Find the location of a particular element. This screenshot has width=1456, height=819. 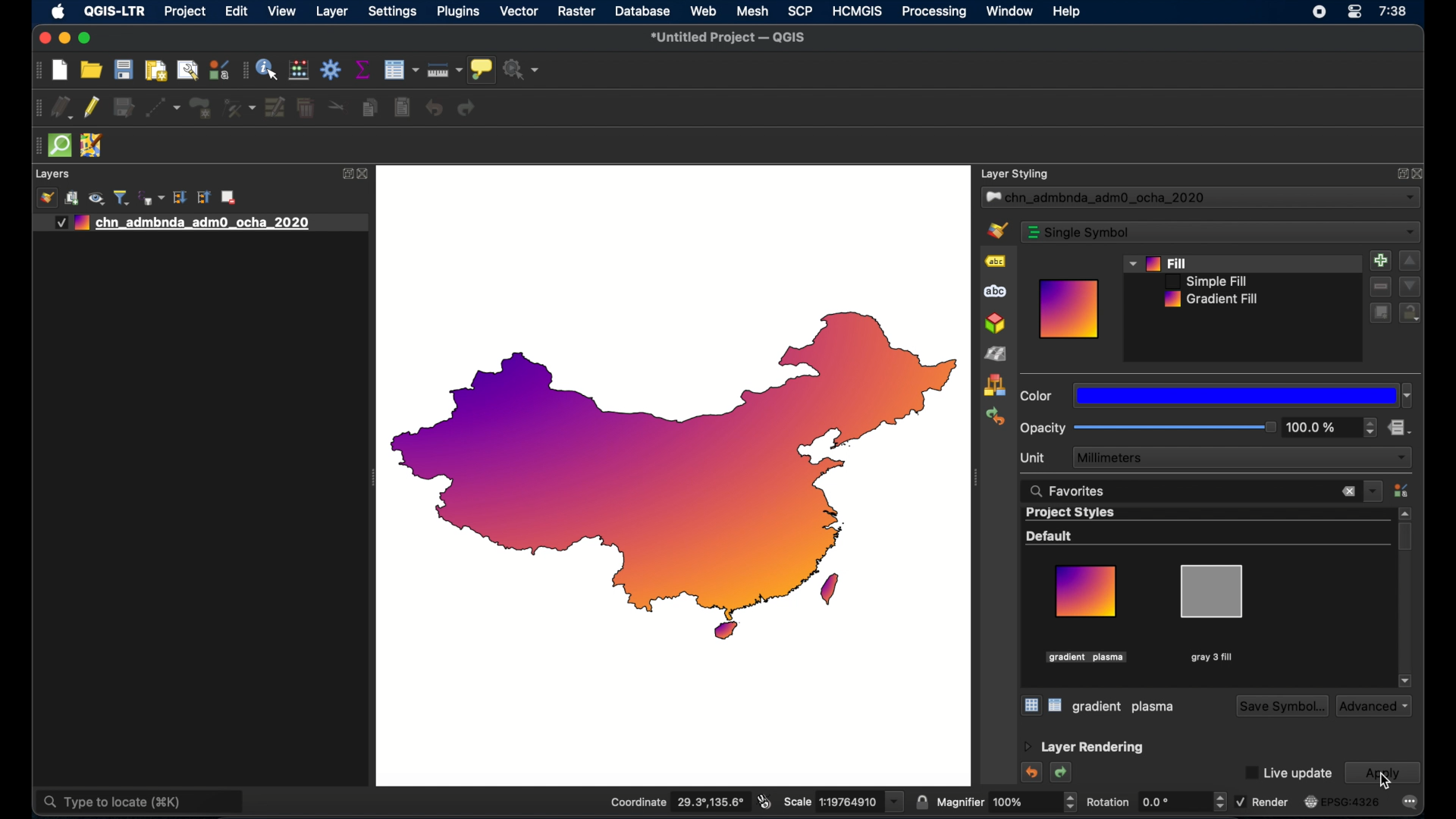

open layout manager is located at coordinates (188, 71).